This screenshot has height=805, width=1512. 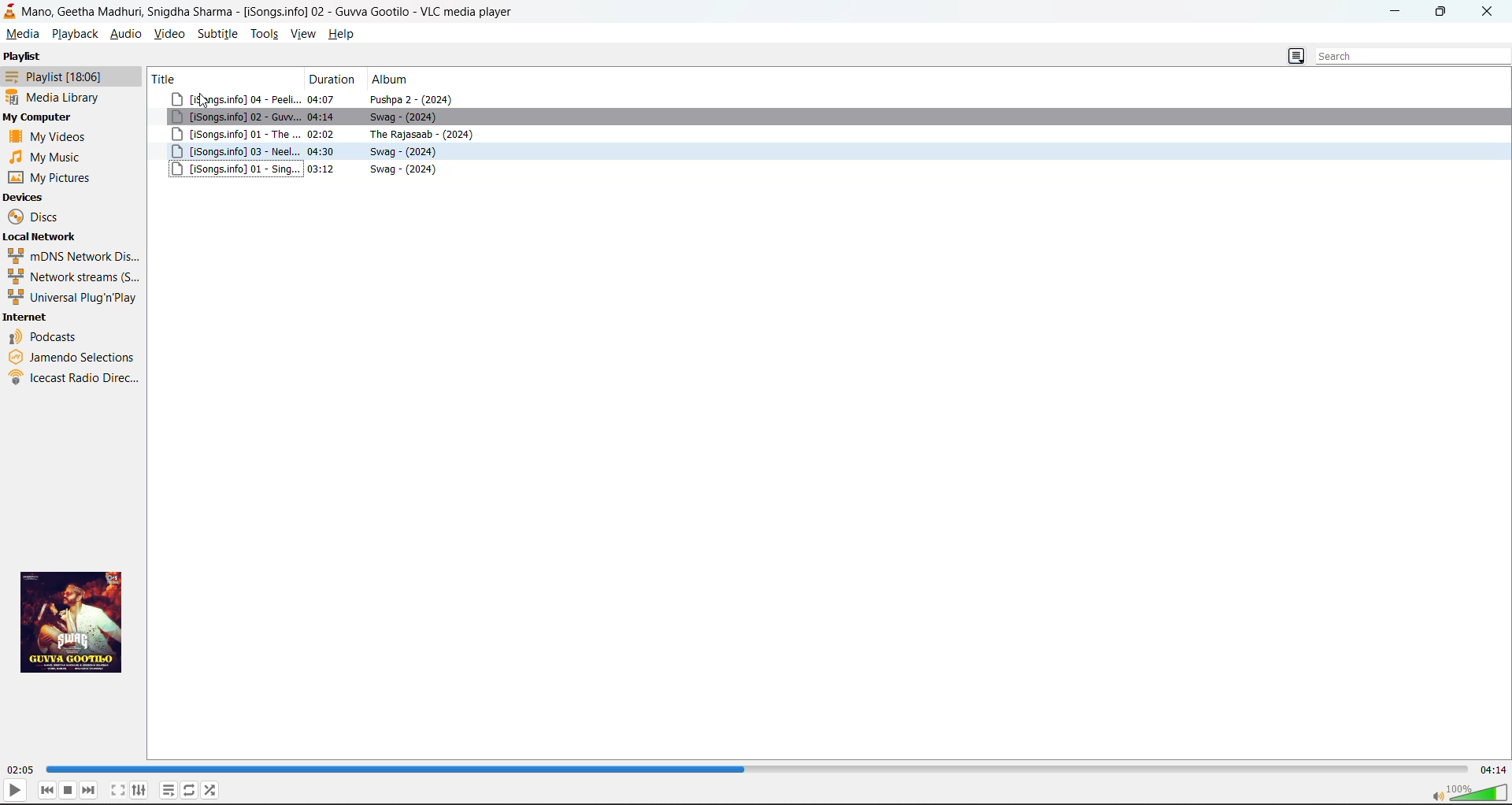 I want to click on devices, so click(x=25, y=198).